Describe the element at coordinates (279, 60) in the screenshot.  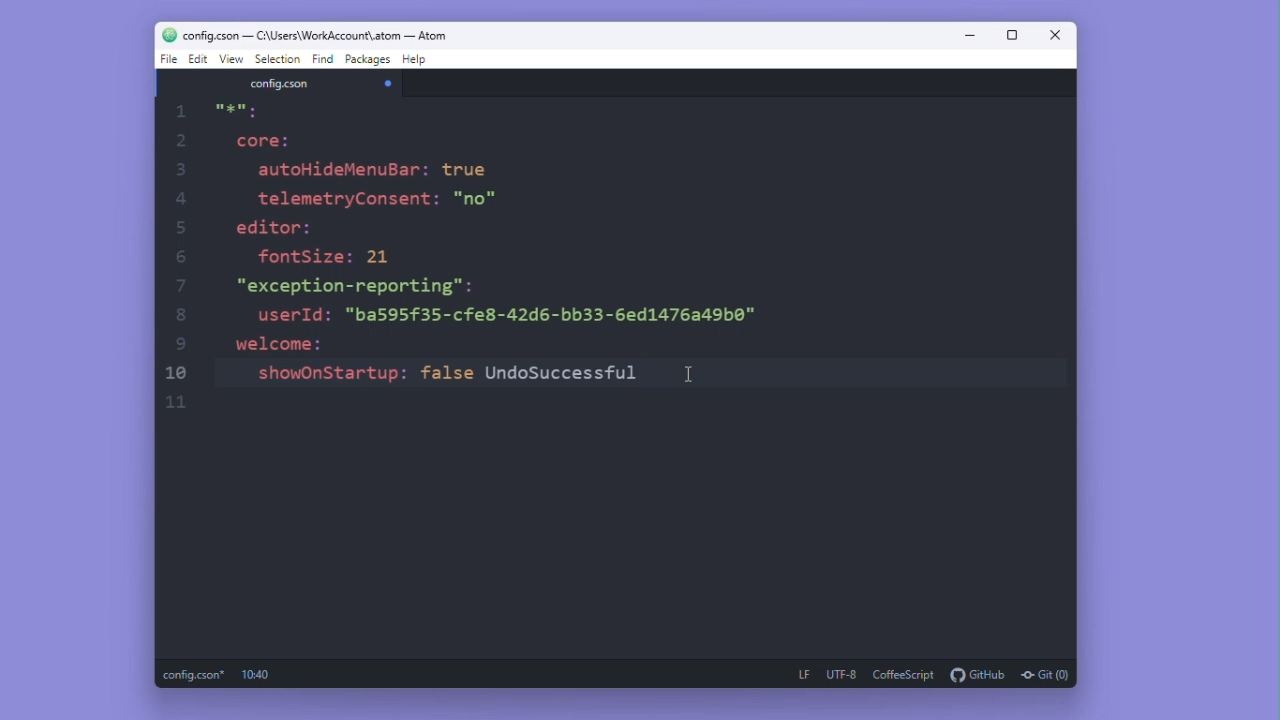
I see `Selection` at that location.